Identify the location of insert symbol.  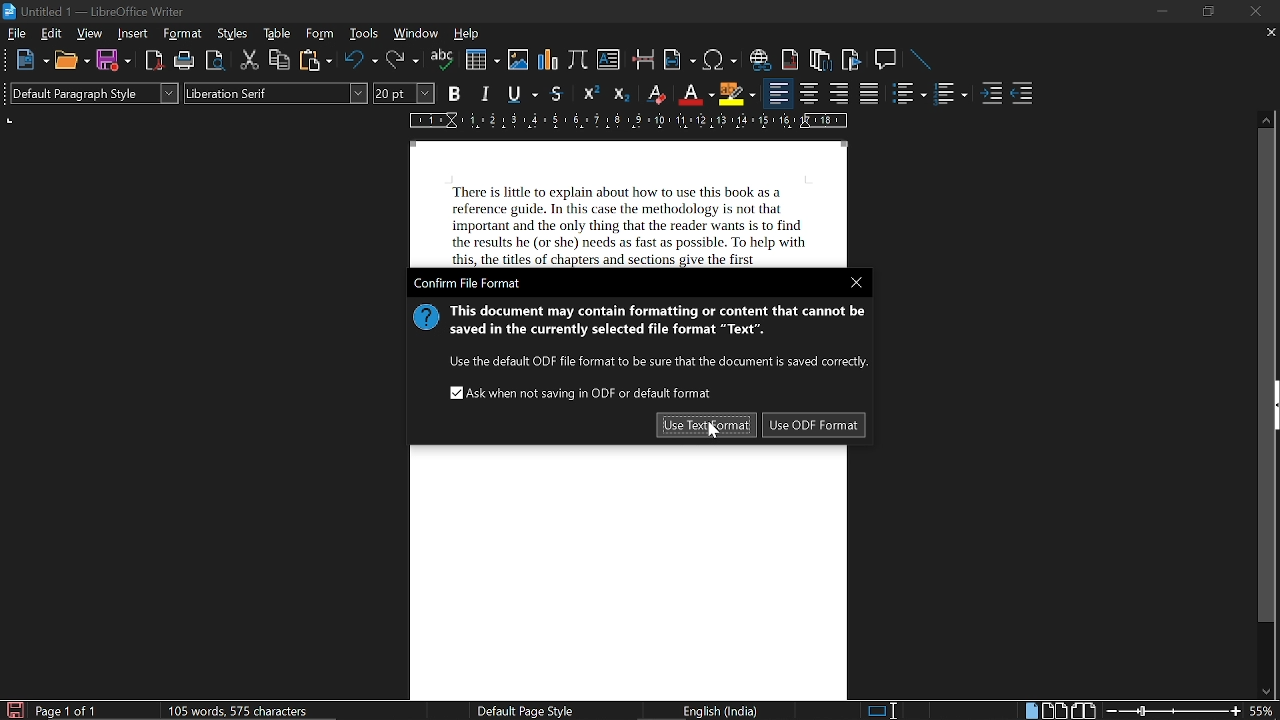
(722, 60).